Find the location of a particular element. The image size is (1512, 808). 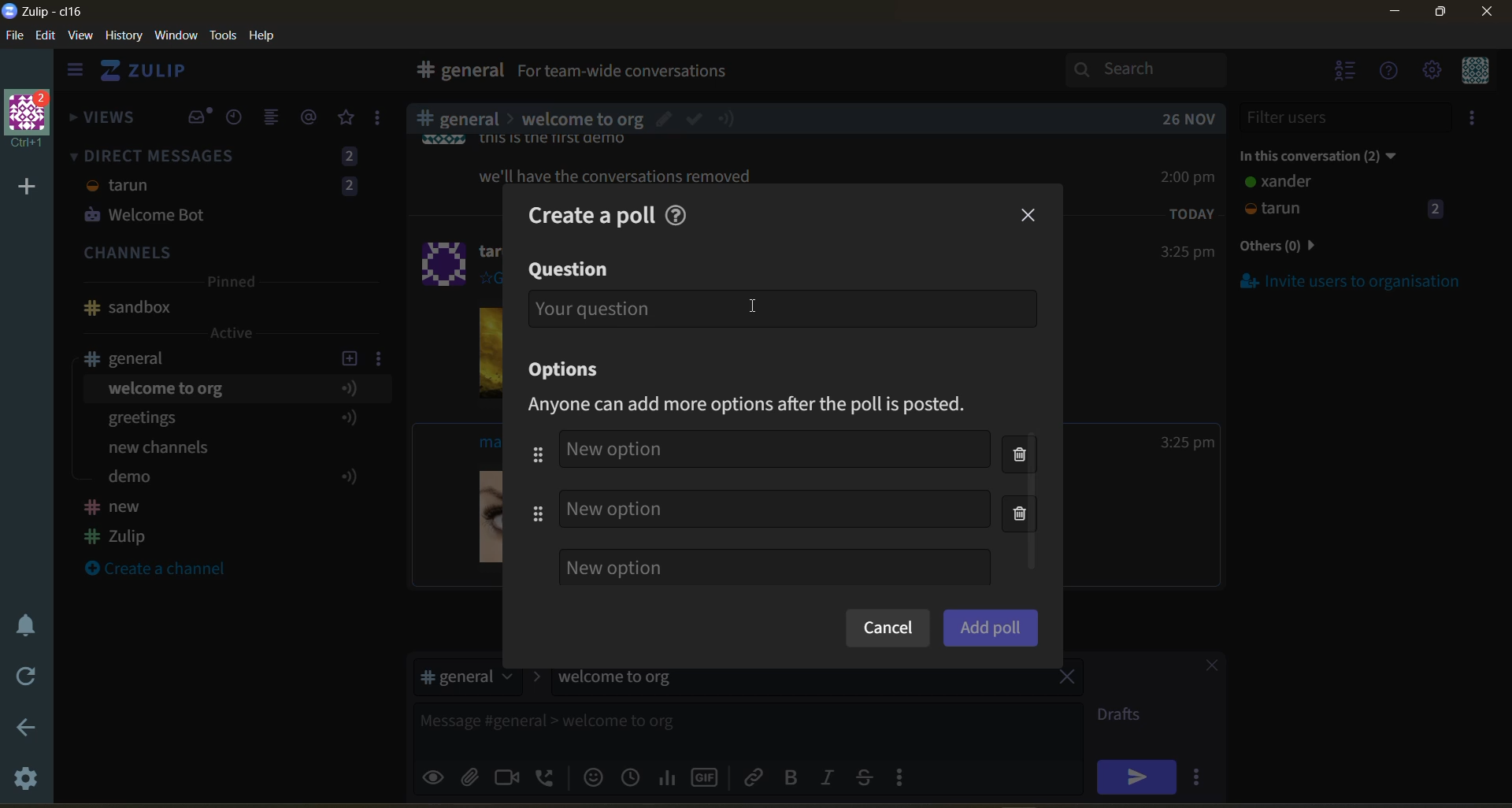

options is located at coordinates (570, 371).